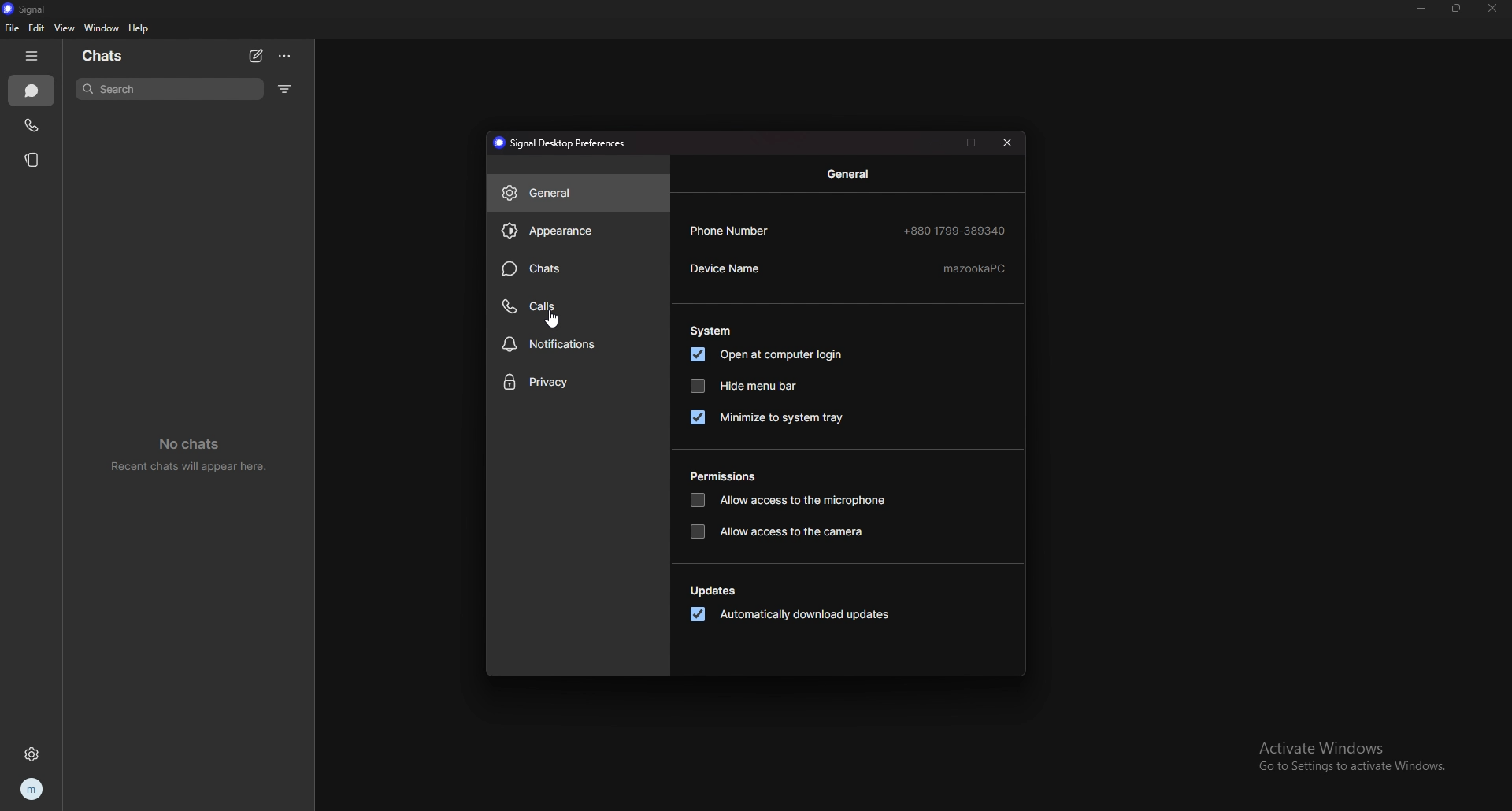 This screenshot has width=1512, height=811. What do you see at coordinates (551, 323) in the screenshot?
I see `cursor` at bounding box center [551, 323].